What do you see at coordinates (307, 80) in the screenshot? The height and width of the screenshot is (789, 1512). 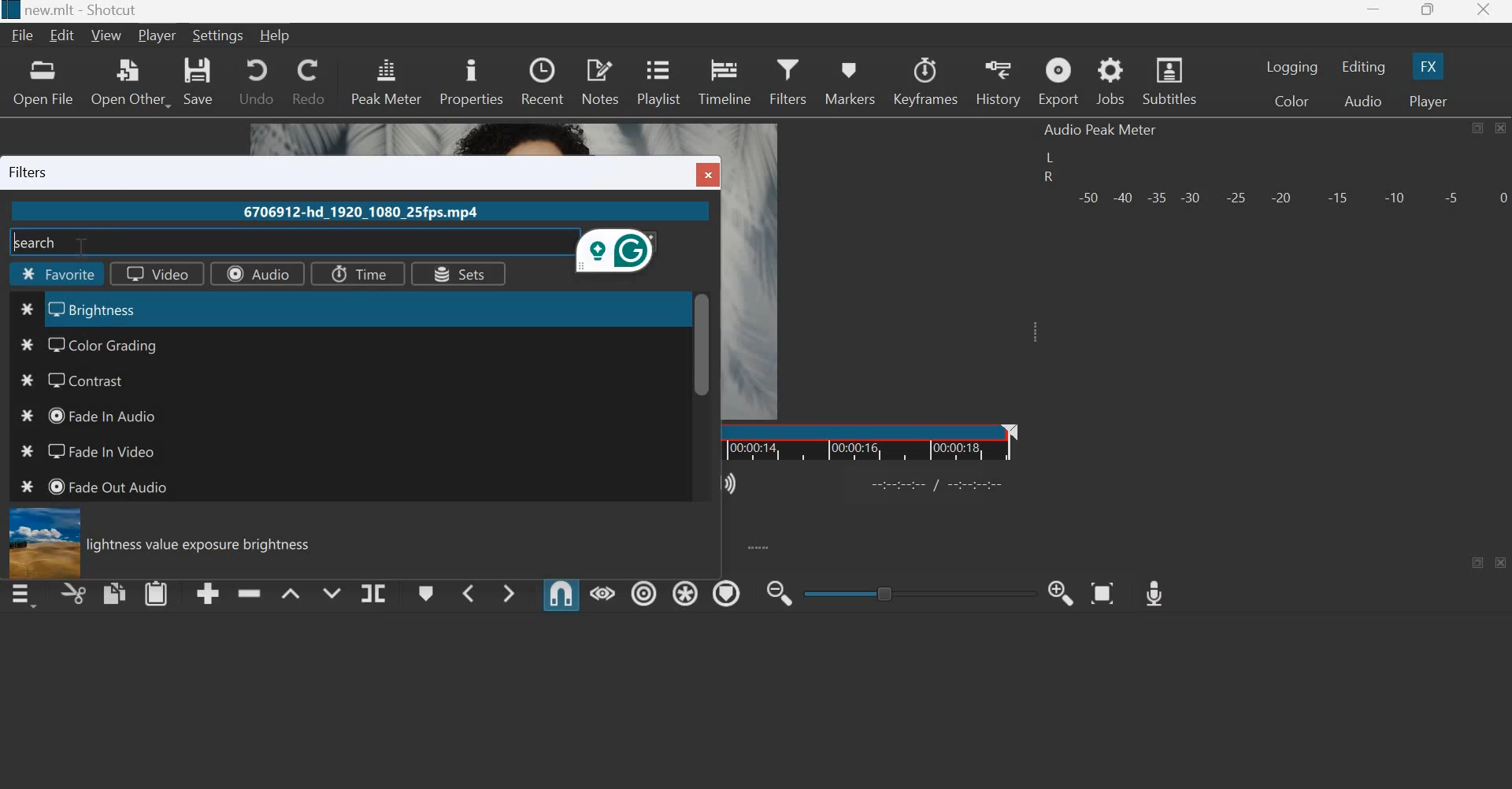 I see `redo` at bounding box center [307, 80].